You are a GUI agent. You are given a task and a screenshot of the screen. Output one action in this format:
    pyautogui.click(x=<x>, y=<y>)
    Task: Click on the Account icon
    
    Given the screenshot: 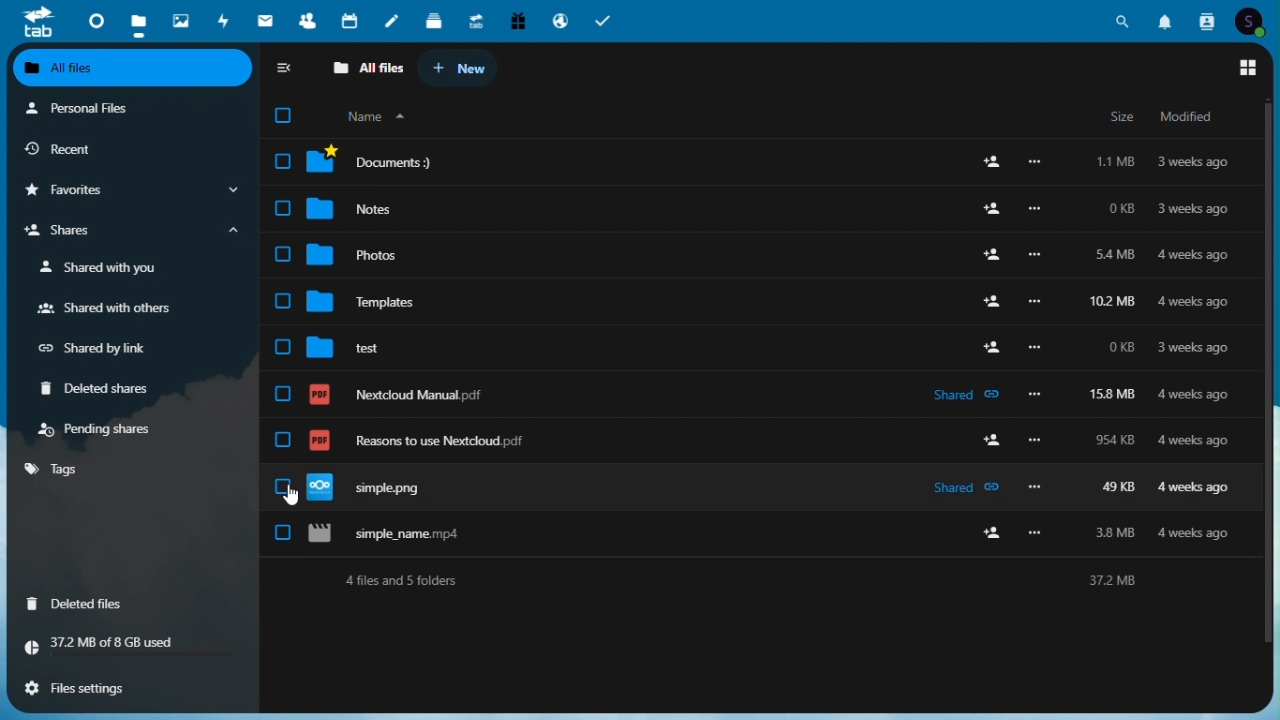 What is the action you would take?
    pyautogui.click(x=1255, y=19)
    